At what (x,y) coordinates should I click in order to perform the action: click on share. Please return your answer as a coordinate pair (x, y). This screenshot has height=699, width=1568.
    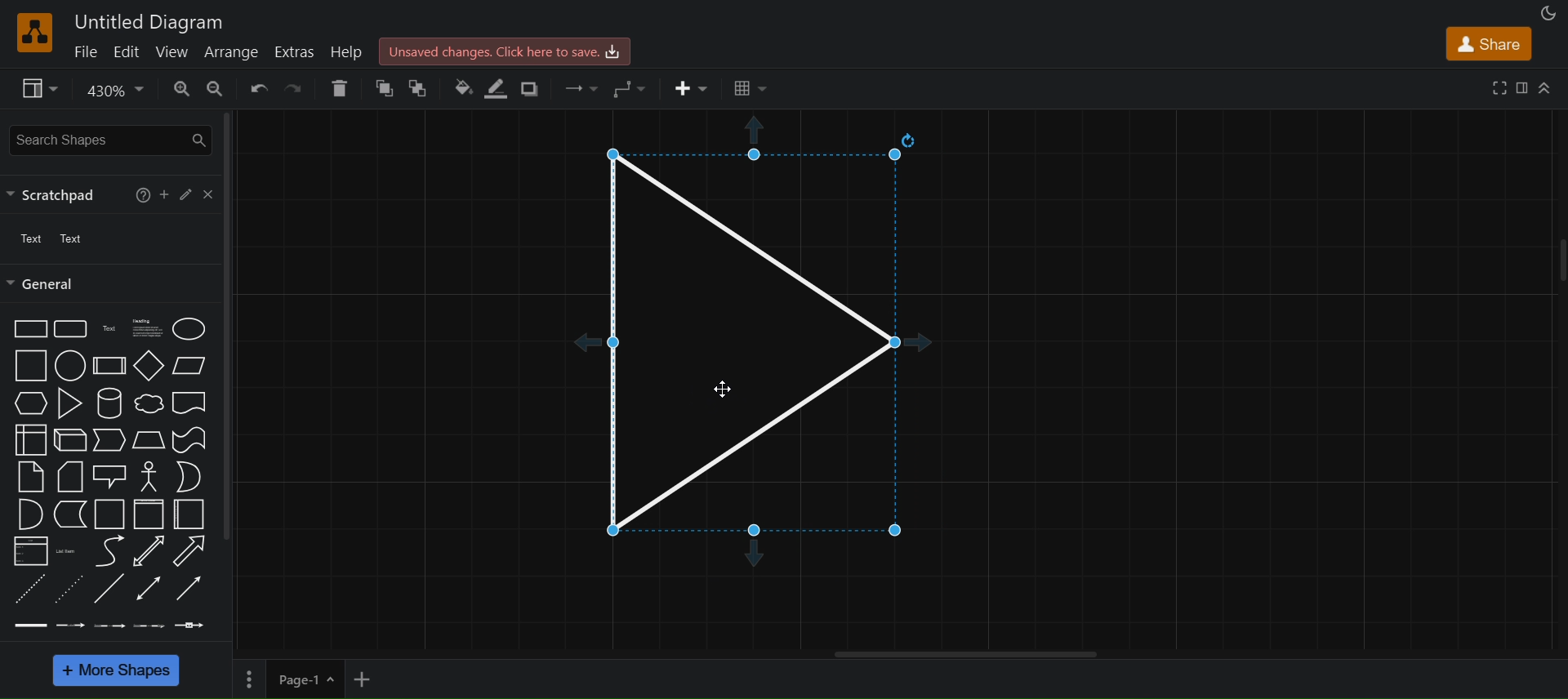
    Looking at the image, I should click on (1491, 42).